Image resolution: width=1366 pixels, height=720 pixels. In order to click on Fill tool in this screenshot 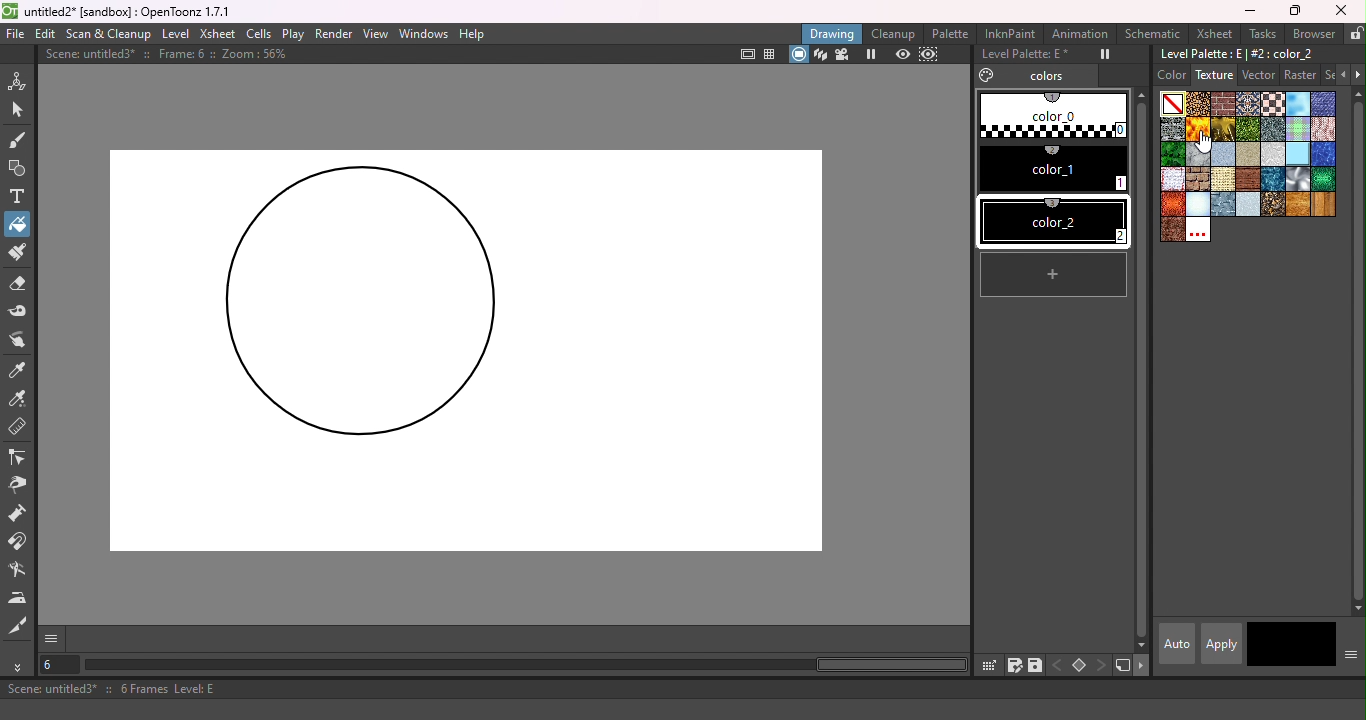, I will do `click(17, 227)`.